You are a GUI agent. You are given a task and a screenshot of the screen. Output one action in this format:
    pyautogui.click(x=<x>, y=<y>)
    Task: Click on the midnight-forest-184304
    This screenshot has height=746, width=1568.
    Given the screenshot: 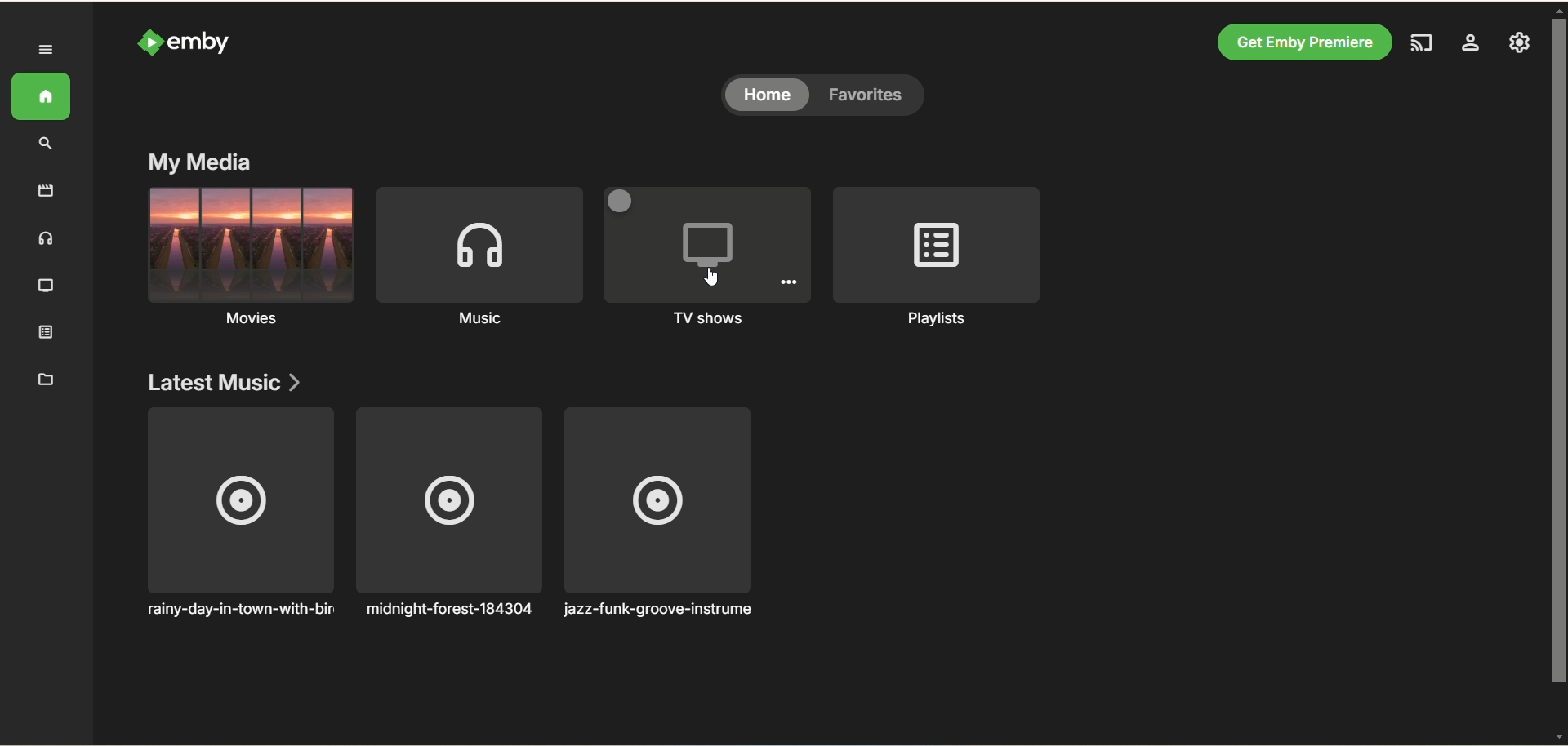 What is the action you would take?
    pyautogui.click(x=448, y=516)
    